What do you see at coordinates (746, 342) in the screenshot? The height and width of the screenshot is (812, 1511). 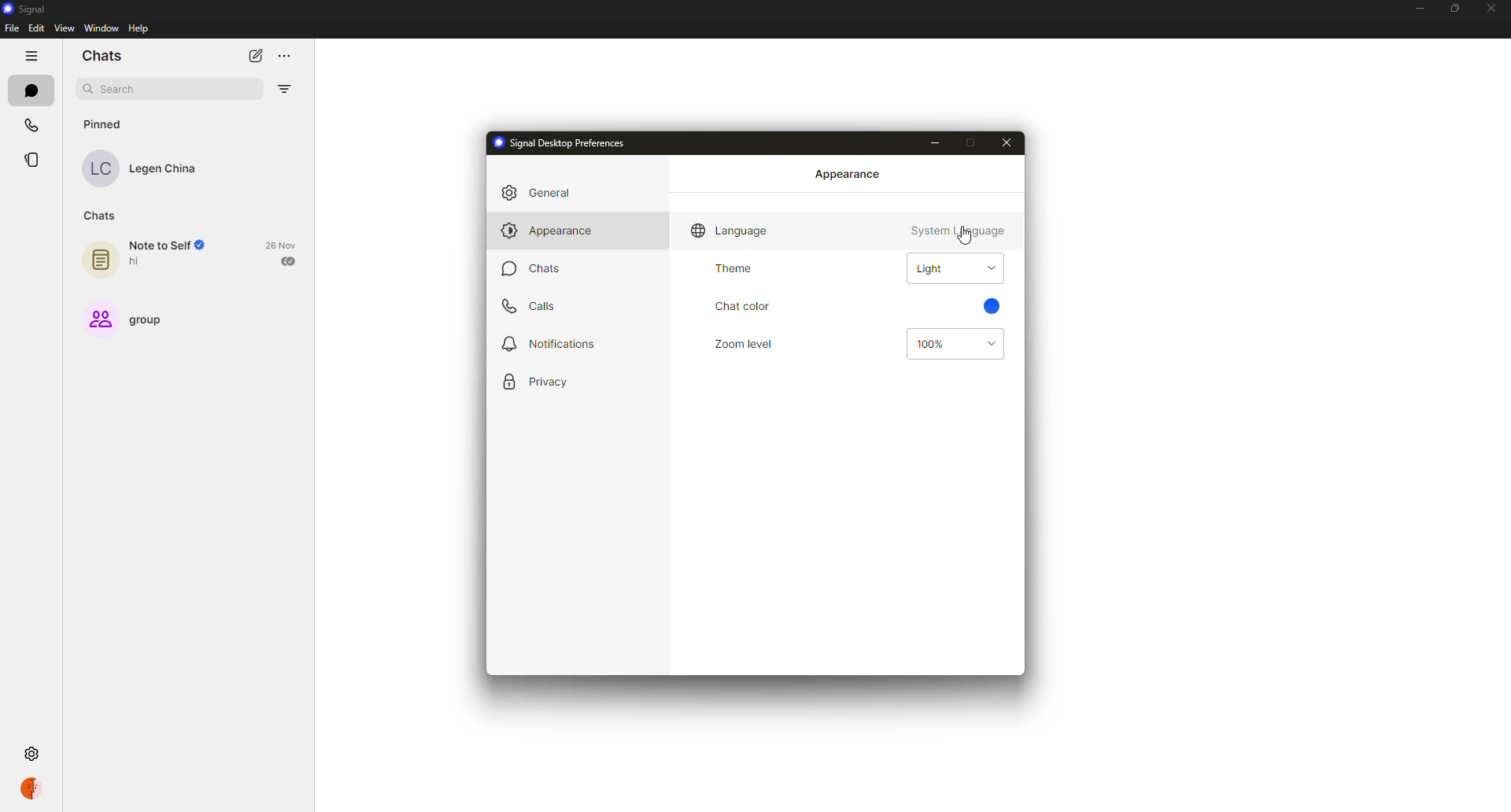 I see `zoom level` at bounding box center [746, 342].